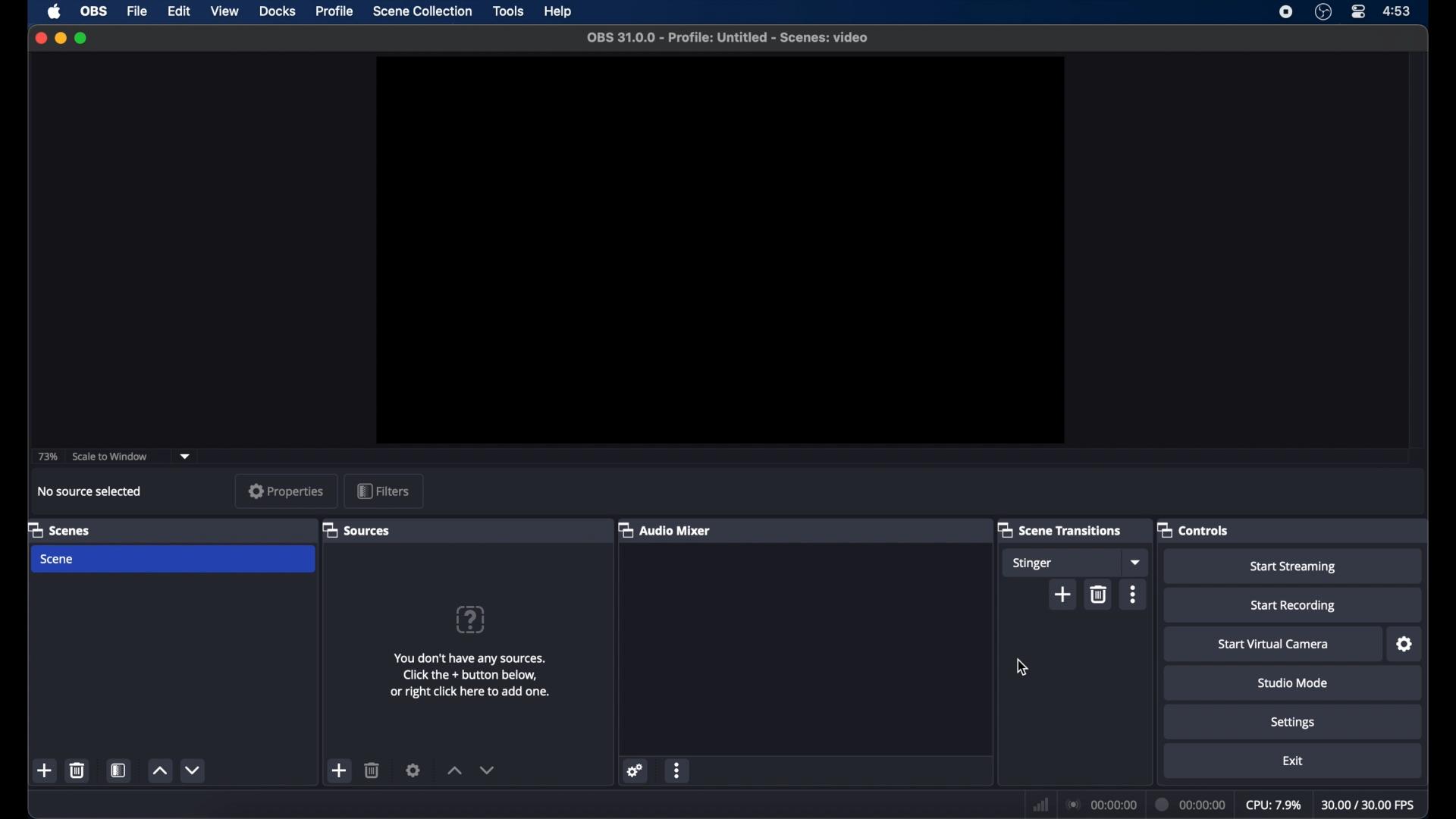 Image resolution: width=1456 pixels, height=819 pixels. I want to click on network, so click(1039, 803).